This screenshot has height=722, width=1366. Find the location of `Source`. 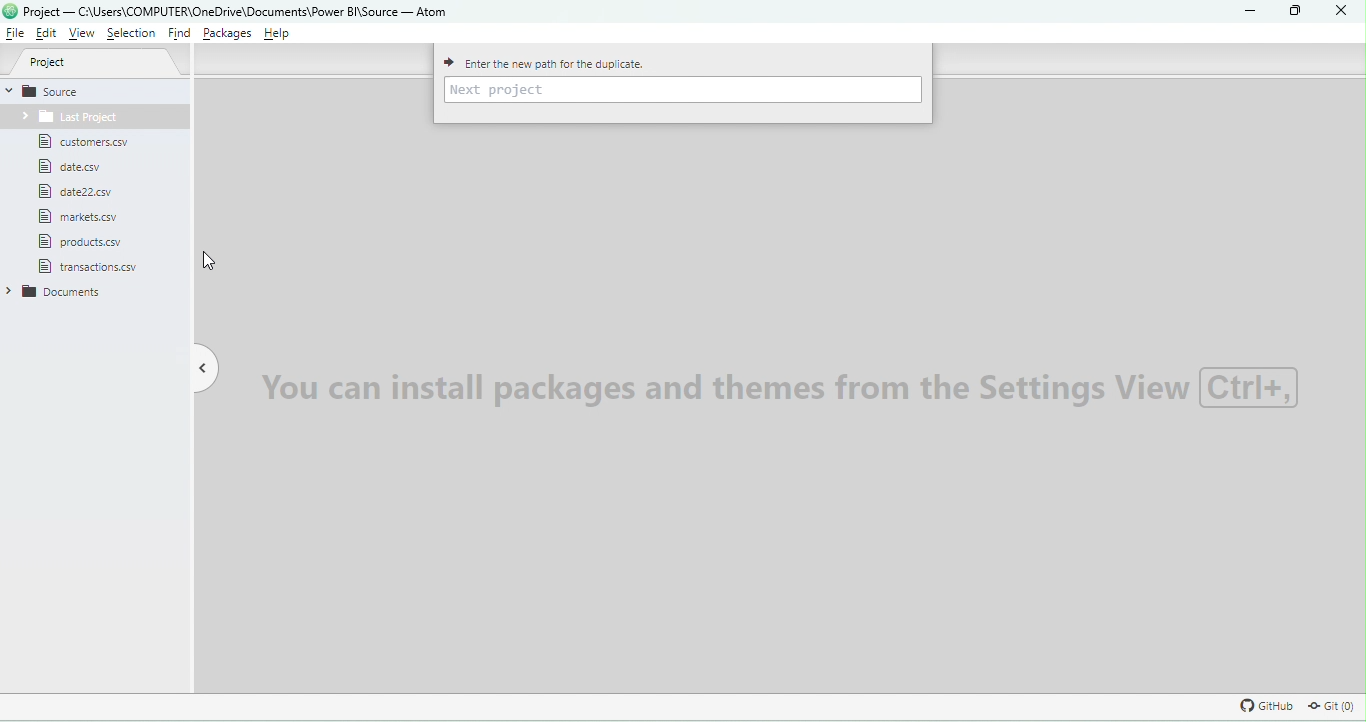

Source is located at coordinates (98, 91).